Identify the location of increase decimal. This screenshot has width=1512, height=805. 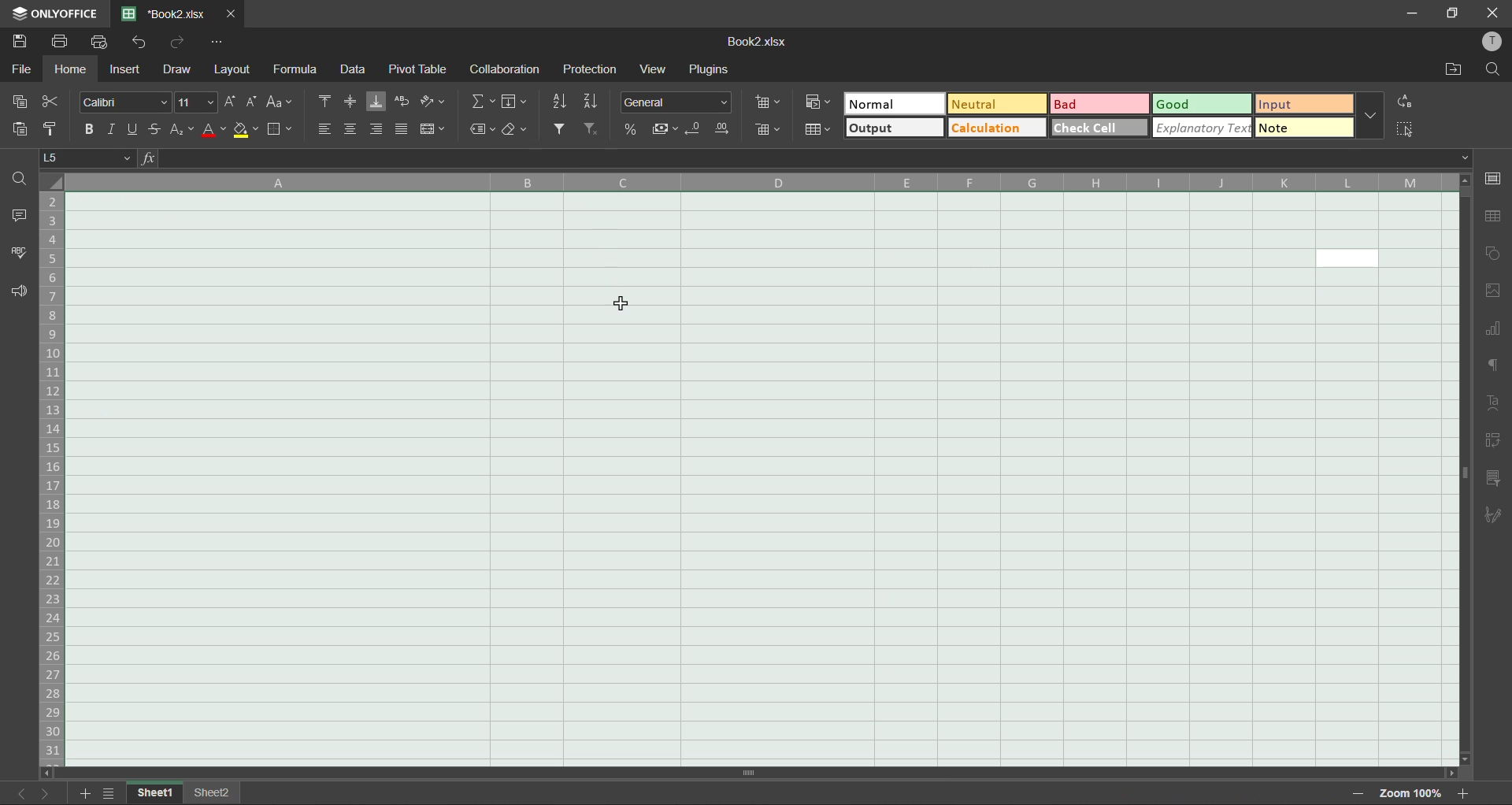
(721, 129).